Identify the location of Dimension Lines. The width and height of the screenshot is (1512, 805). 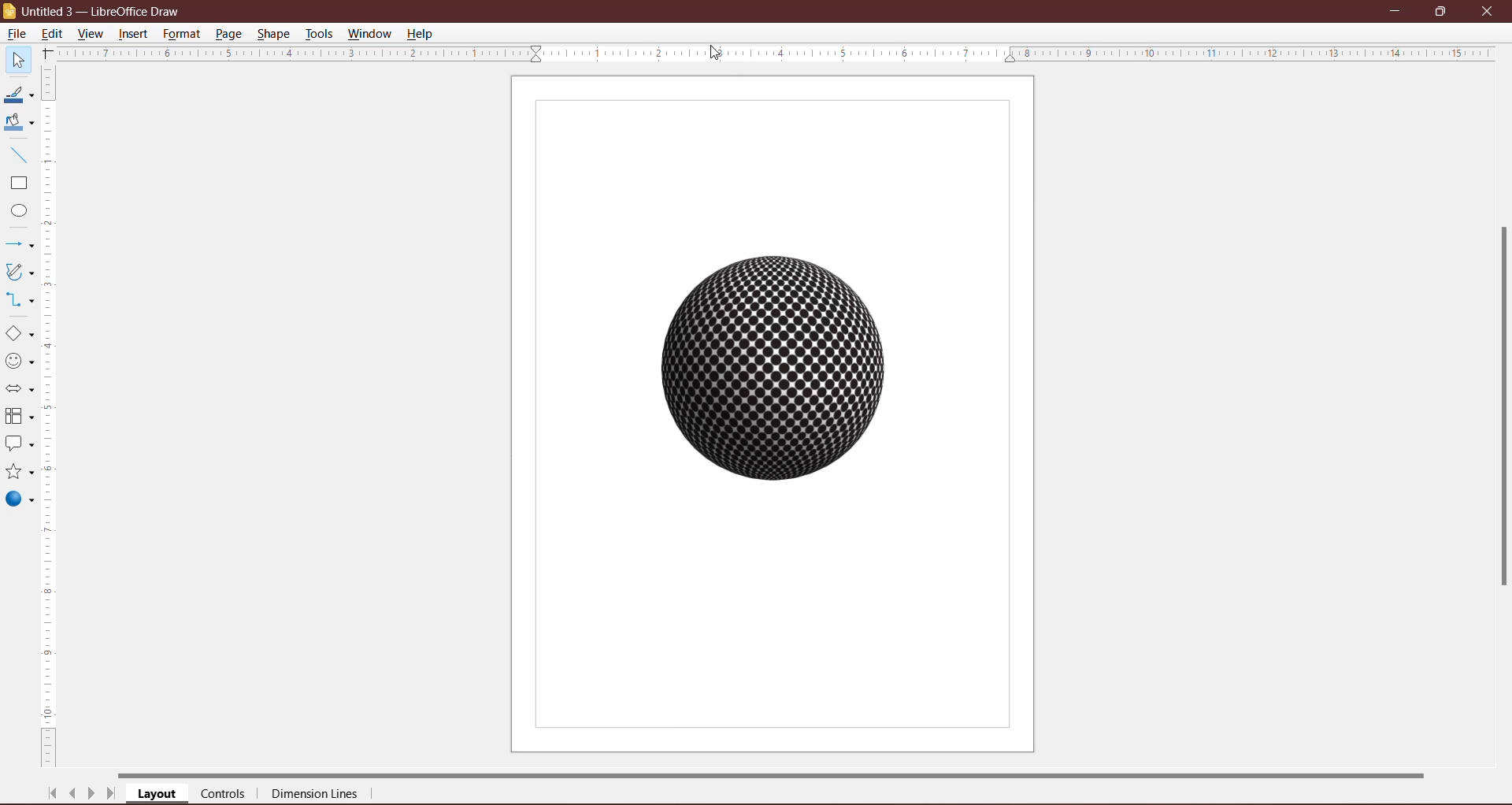
(316, 796).